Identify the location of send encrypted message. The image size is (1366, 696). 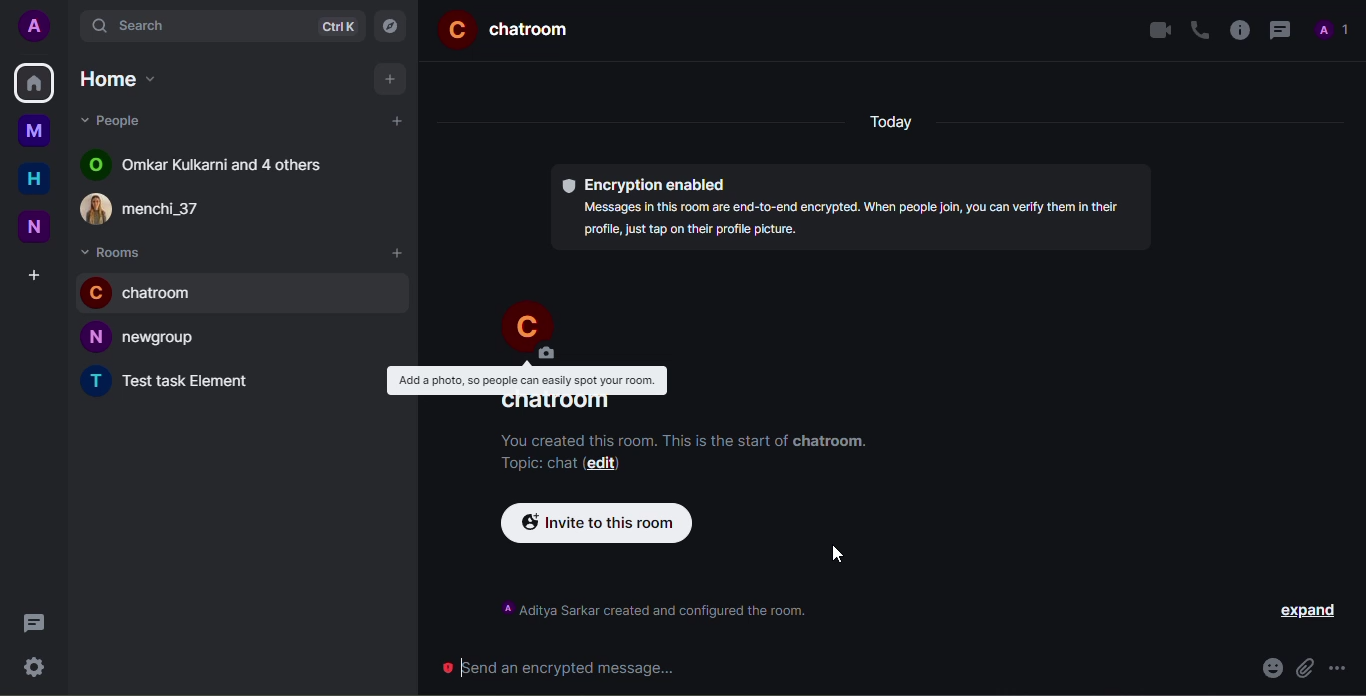
(560, 667).